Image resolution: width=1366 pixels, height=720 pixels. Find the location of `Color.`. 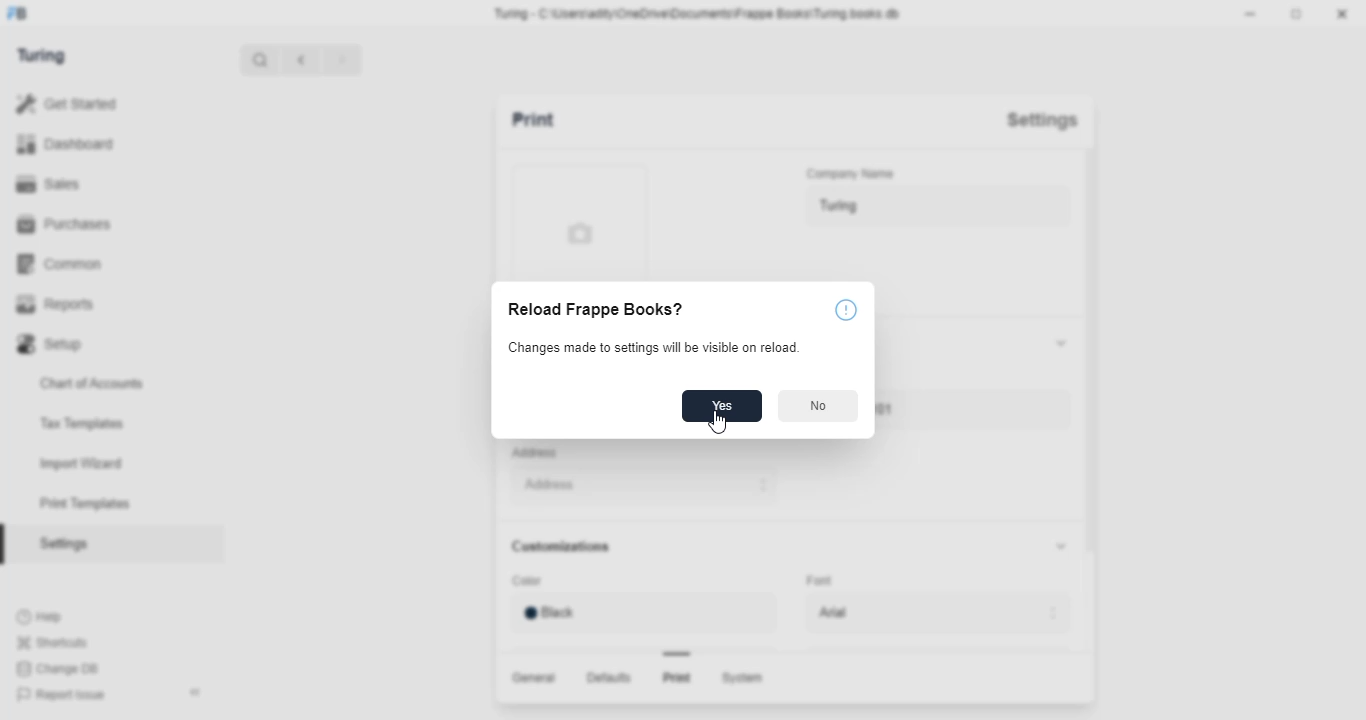

Color. is located at coordinates (529, 582).